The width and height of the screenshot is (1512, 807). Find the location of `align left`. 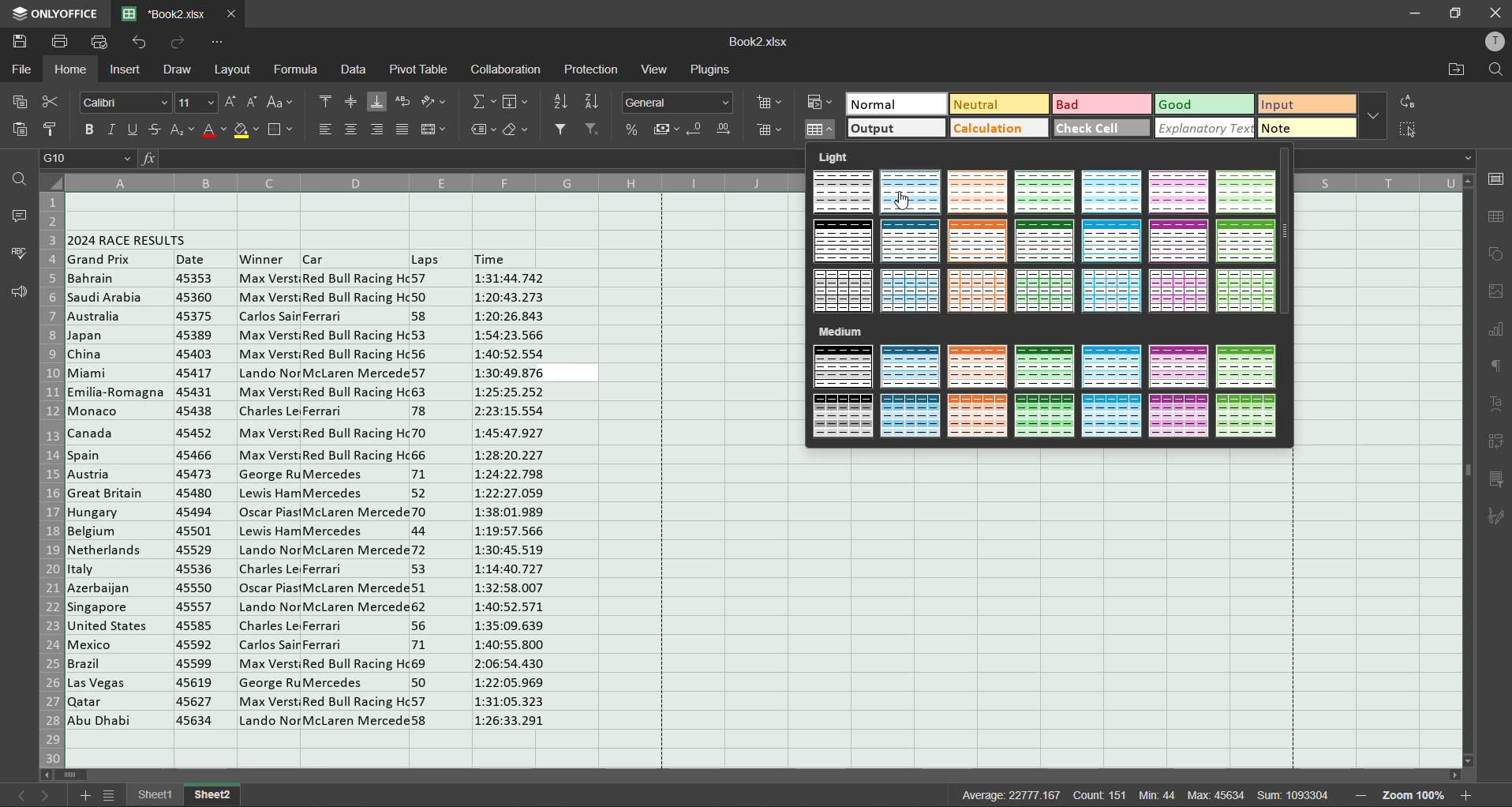

align left is located at coordinates (326, 129).